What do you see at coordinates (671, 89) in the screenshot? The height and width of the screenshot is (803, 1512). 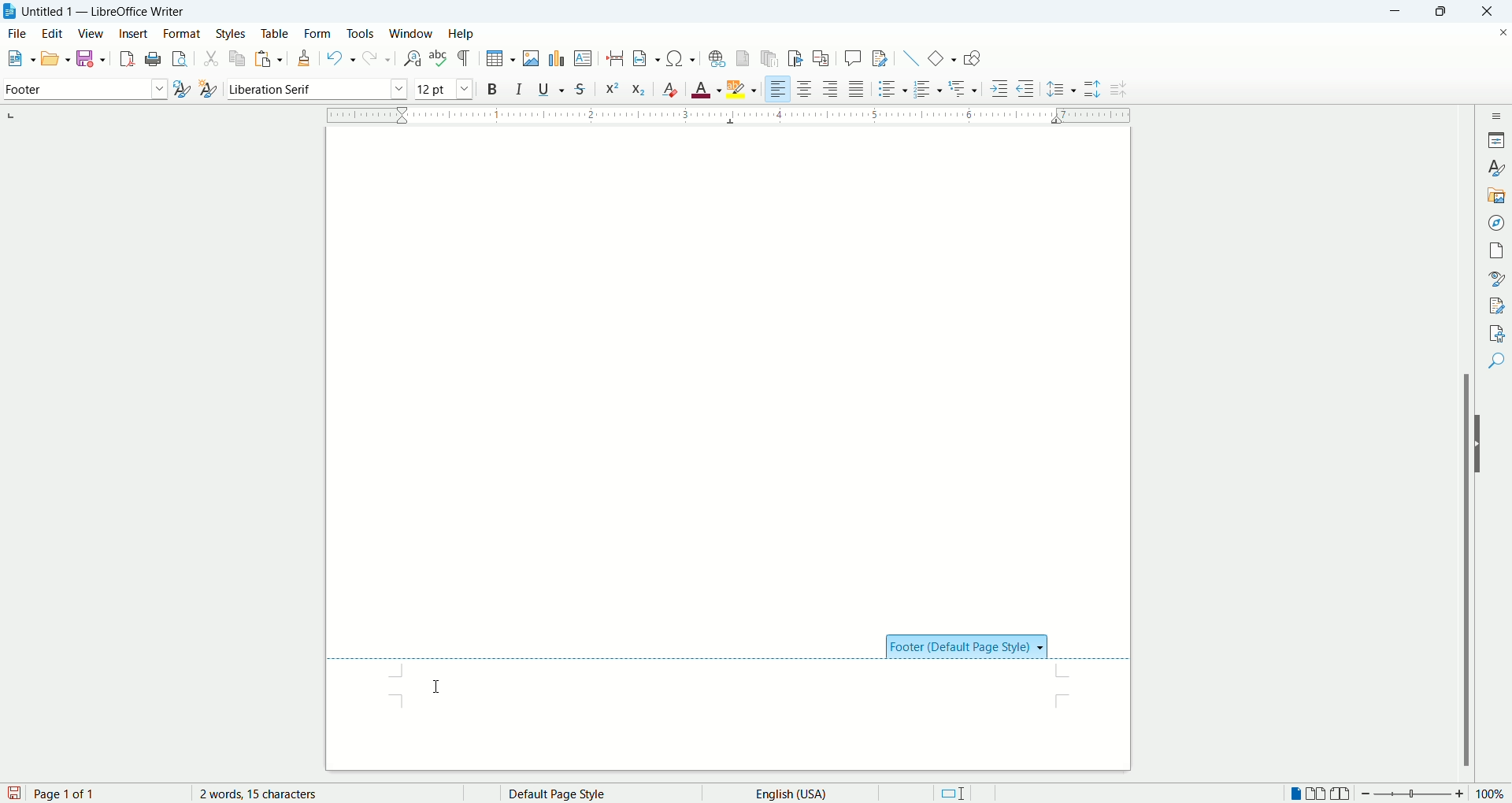 I see `clear formatting` at bounding box center [671, 89].